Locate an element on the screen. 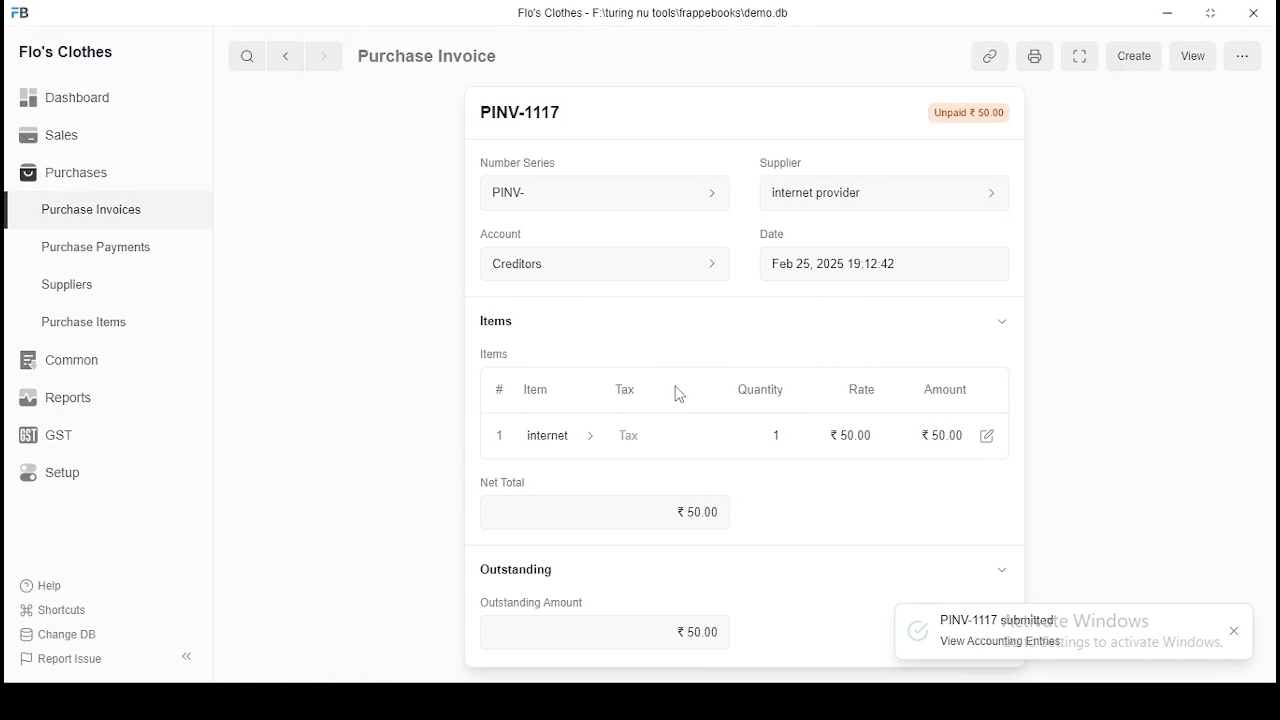 The width and height of the screenshot is (1280, 720). edit is located at coordinates (988, 437).